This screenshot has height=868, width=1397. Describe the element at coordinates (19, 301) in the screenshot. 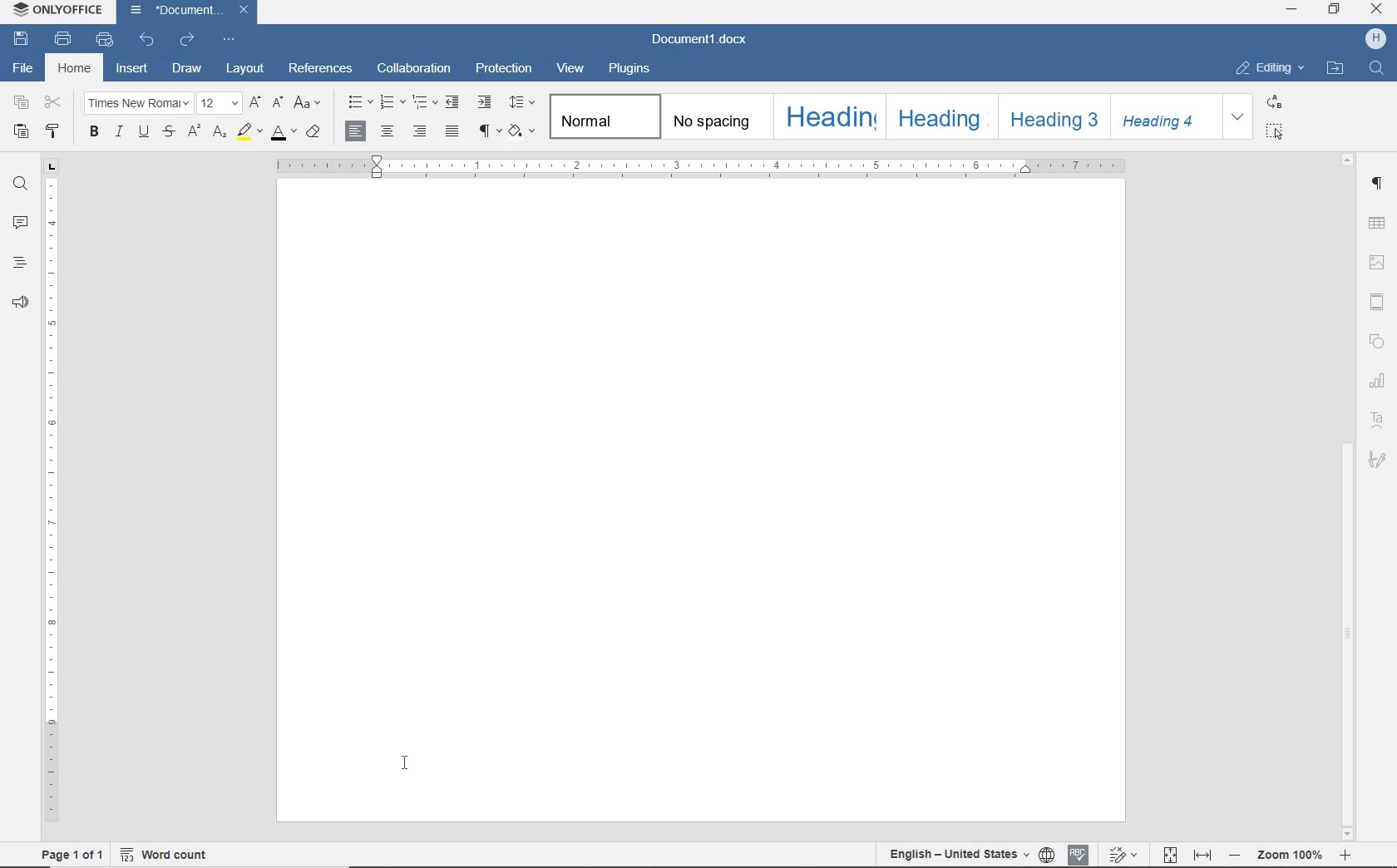

I see `feedback & support` at that location.